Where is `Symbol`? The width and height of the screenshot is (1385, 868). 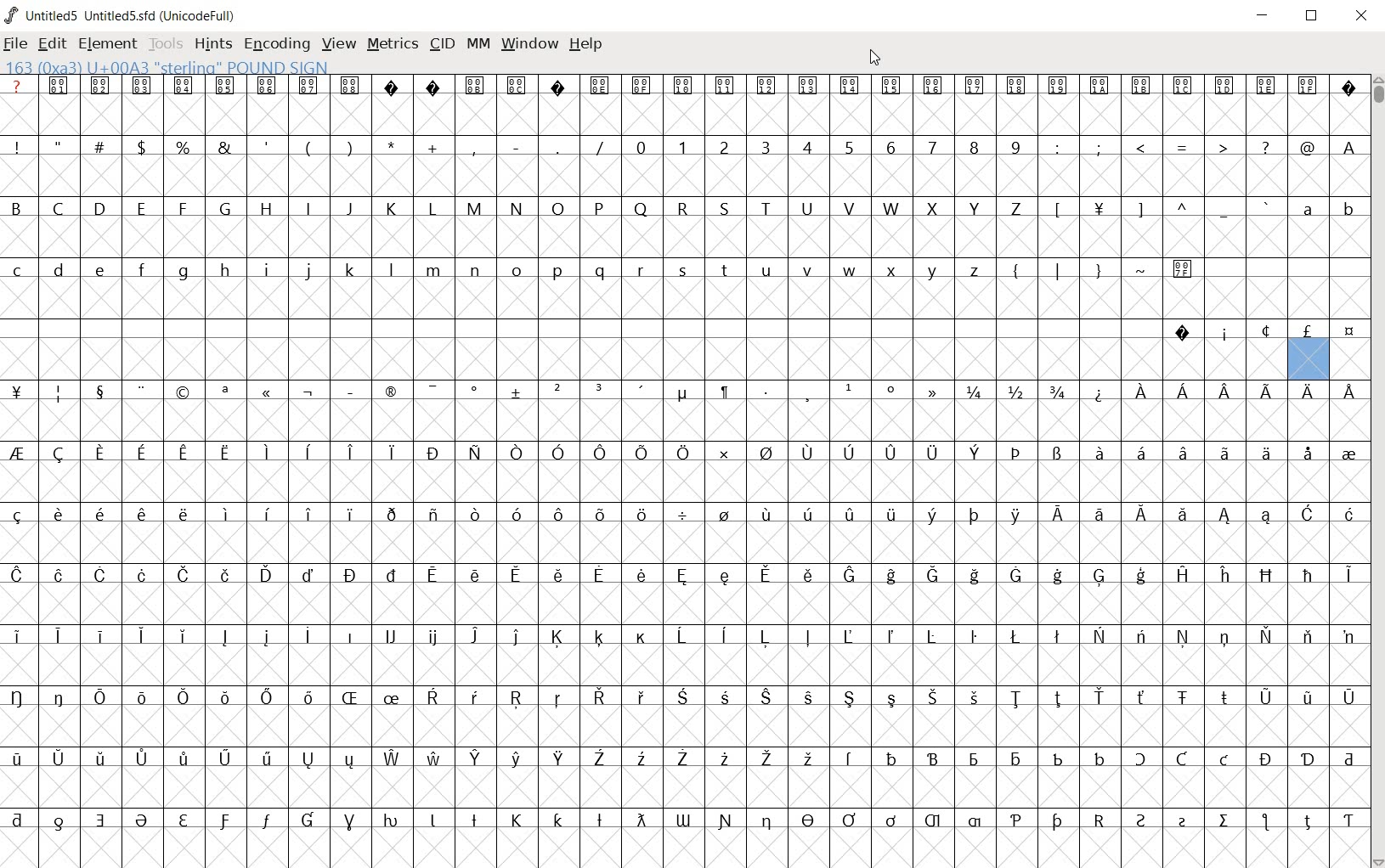
Symbol is located at coordinates (1309, 759).